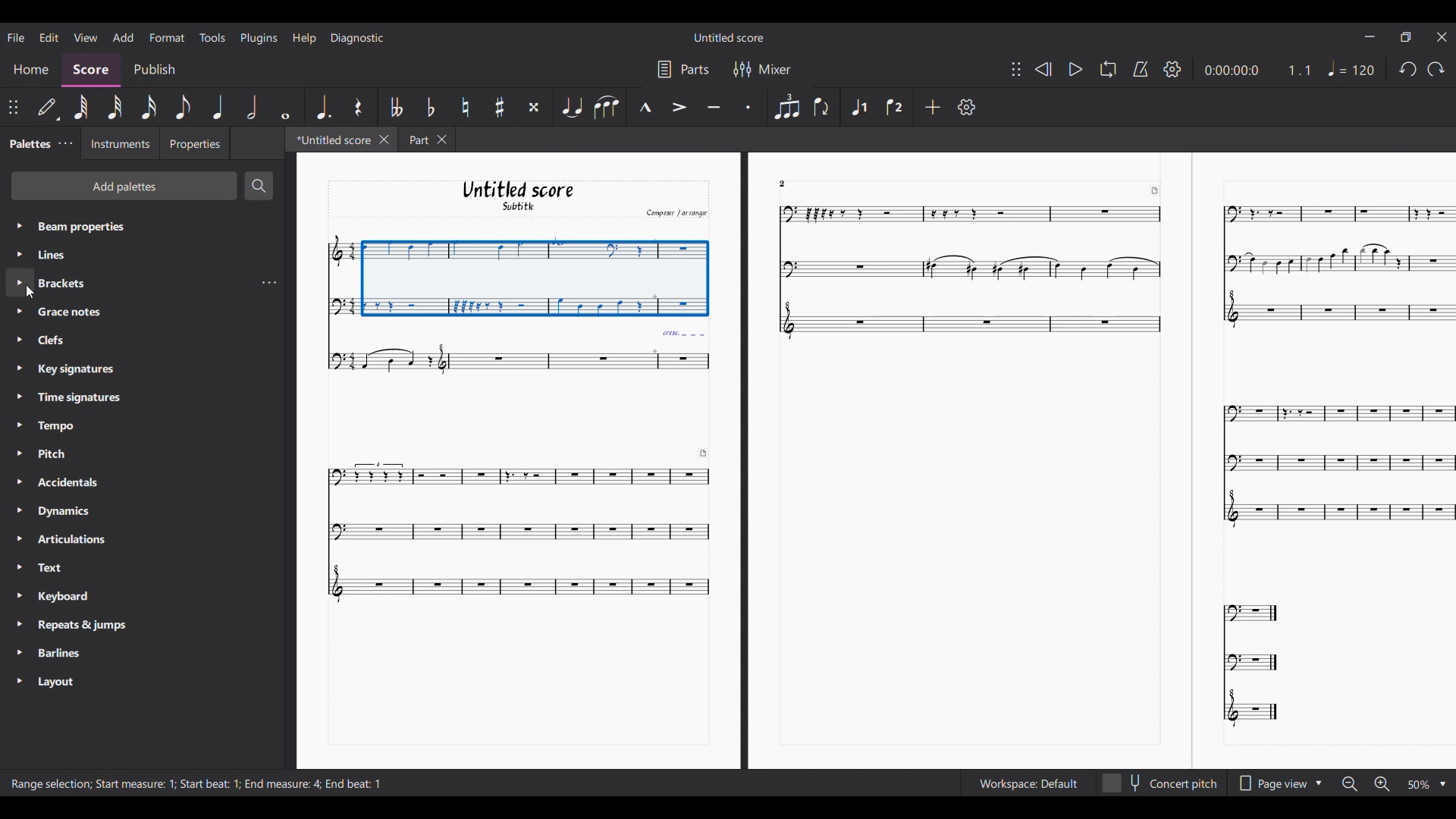 This screenshot has width=1456, height=819. Describe the element at coordinates (1160, 783) in the screenshot. I see `Concert pitch toggle` at that location.